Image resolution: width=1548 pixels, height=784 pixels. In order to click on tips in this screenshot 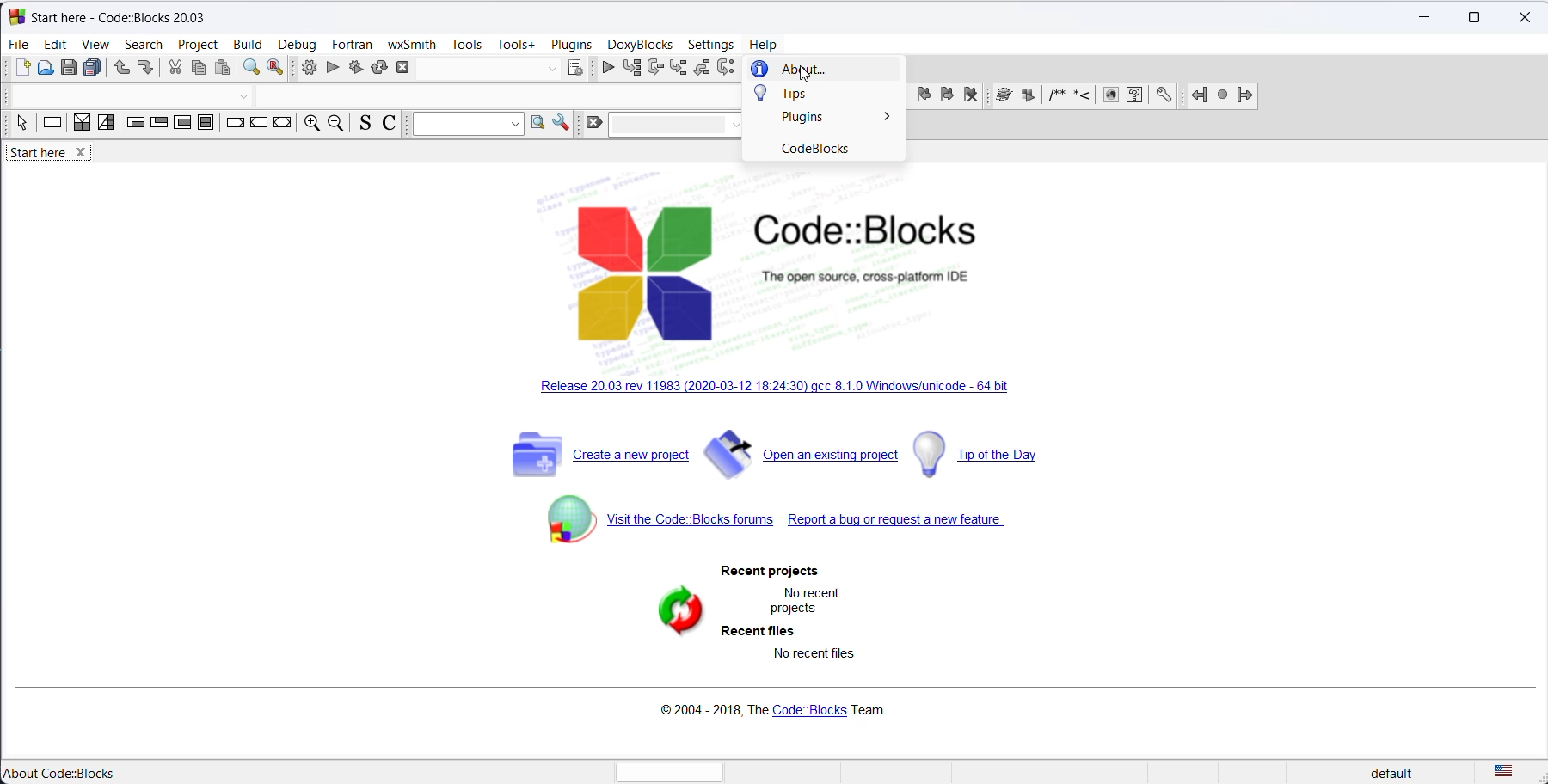, I will do `click(827, 95)`.